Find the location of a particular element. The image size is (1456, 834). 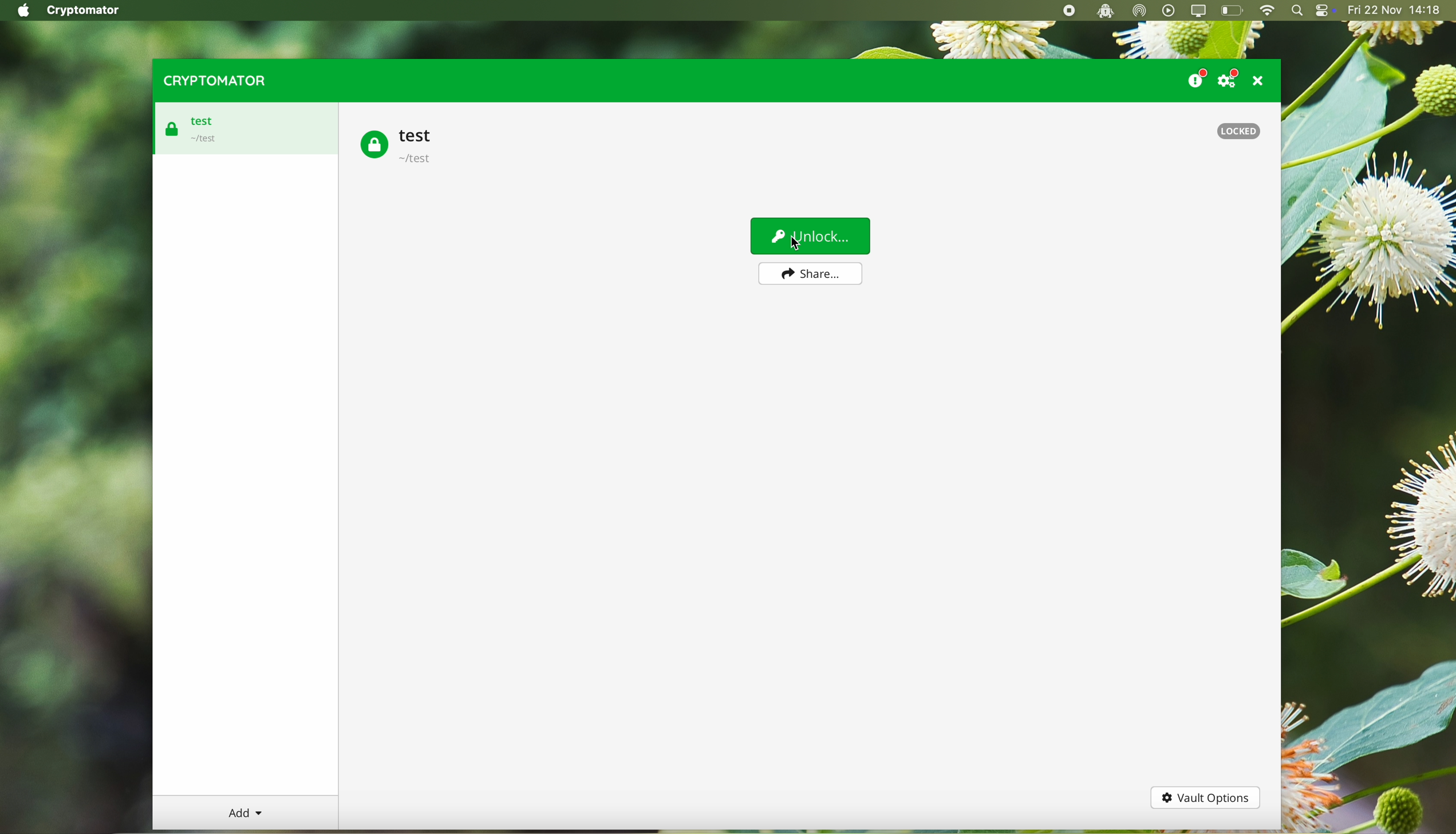

play is located at coordinates (1169, 10).